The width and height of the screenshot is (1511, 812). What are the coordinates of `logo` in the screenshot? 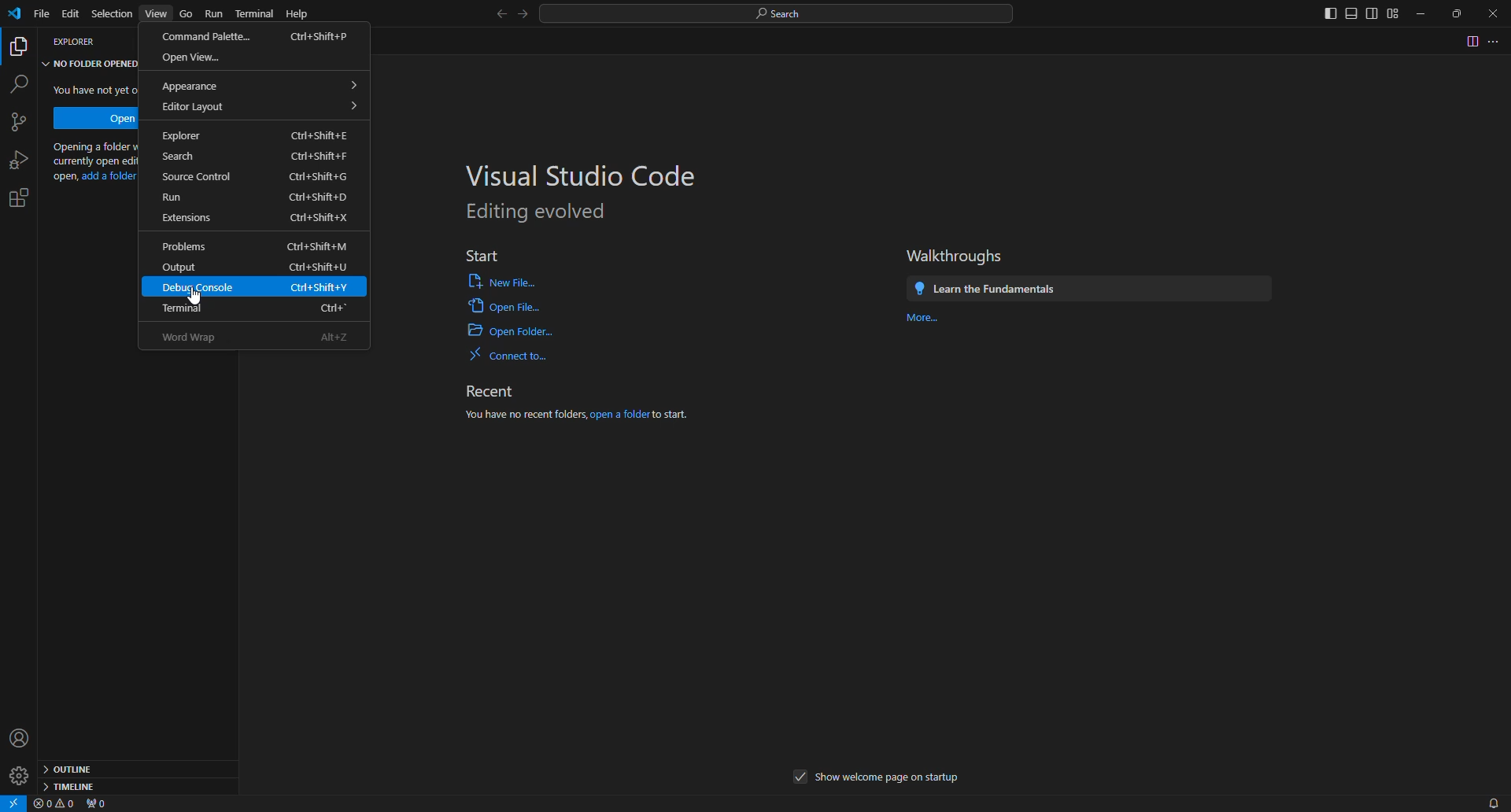 It's located at (17, 15).